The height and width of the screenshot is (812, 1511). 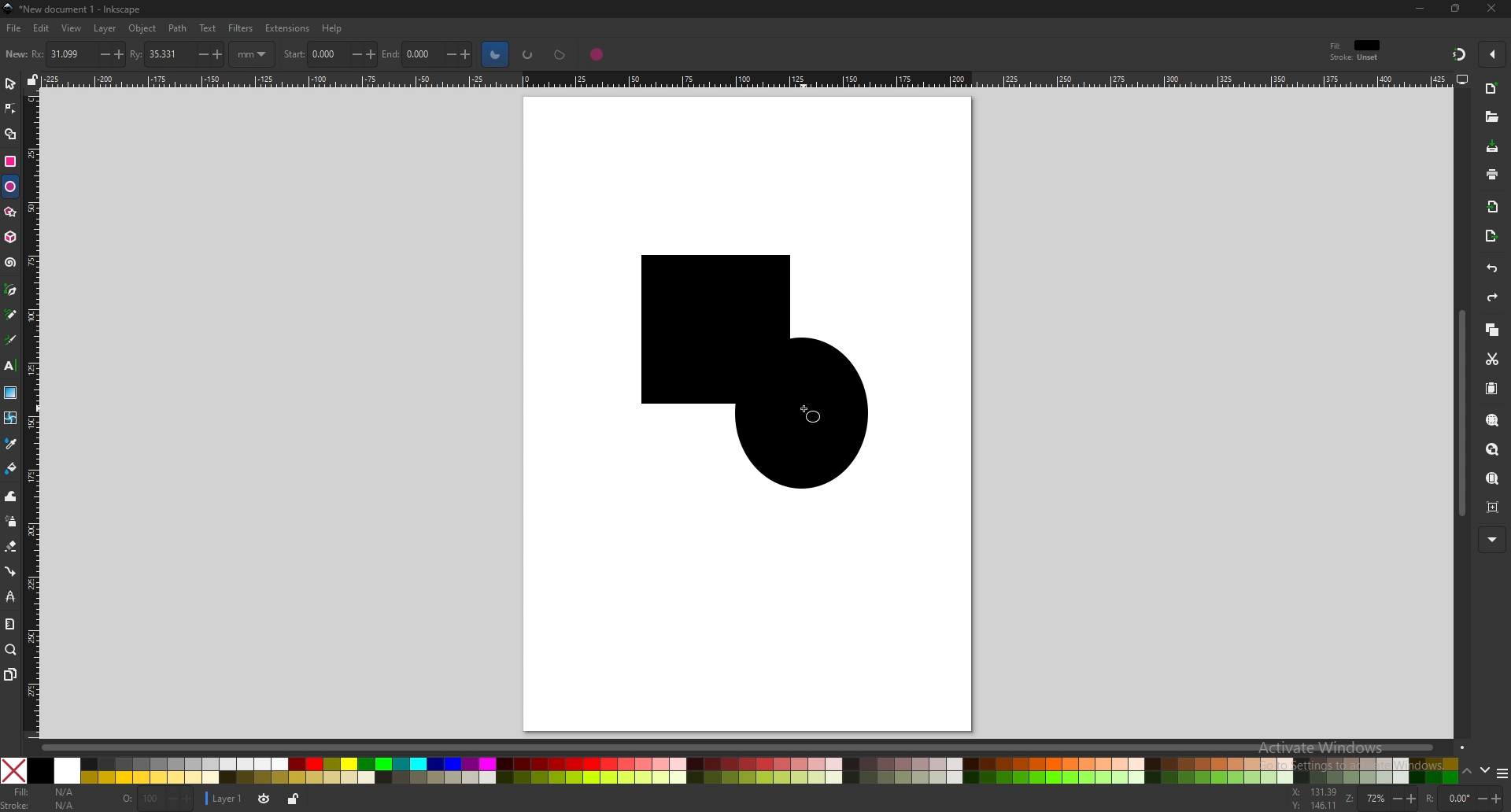 I want to click on measure, so click(x=11, y=625).